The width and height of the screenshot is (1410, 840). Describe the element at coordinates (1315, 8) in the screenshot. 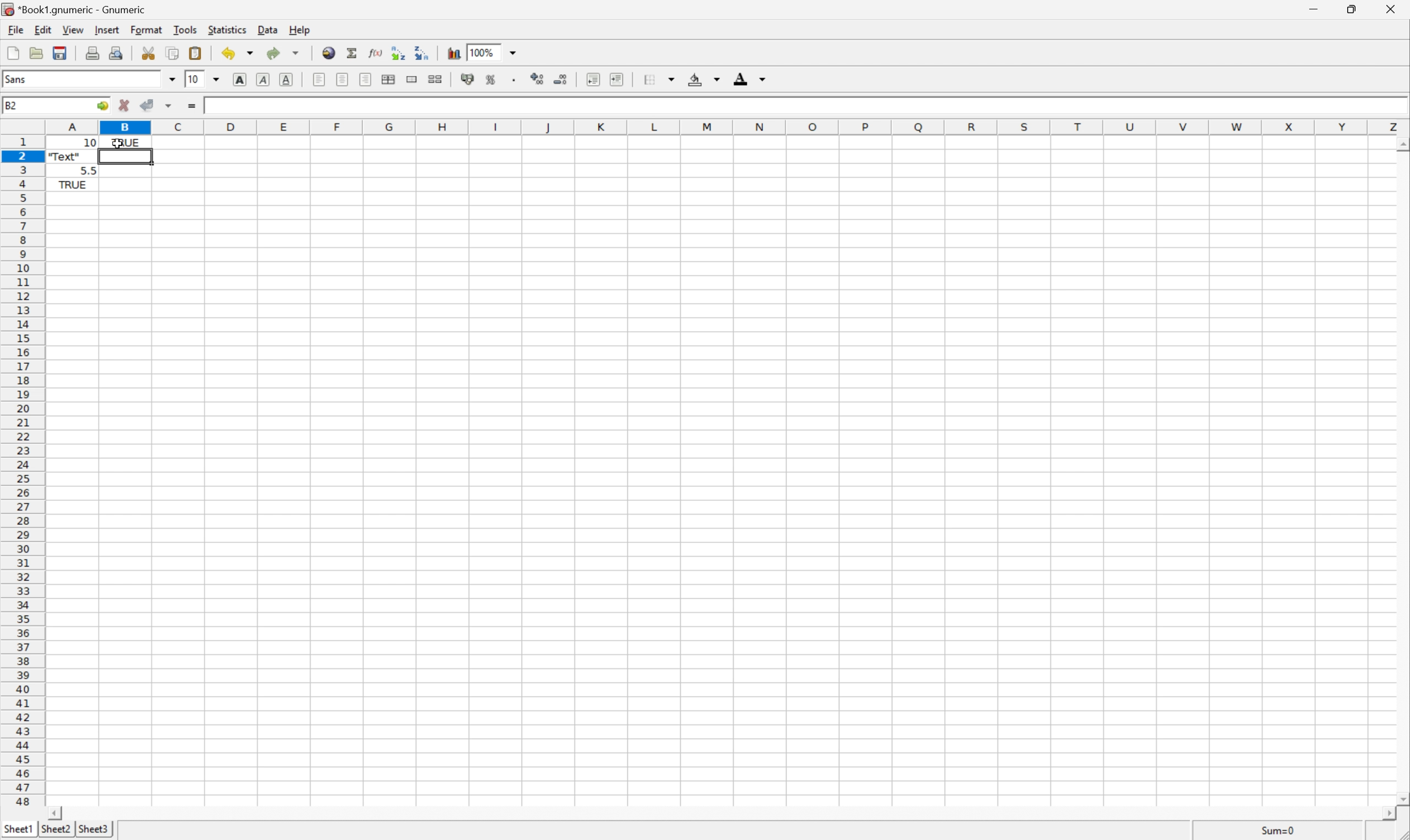

I see `Minimize` at that location.